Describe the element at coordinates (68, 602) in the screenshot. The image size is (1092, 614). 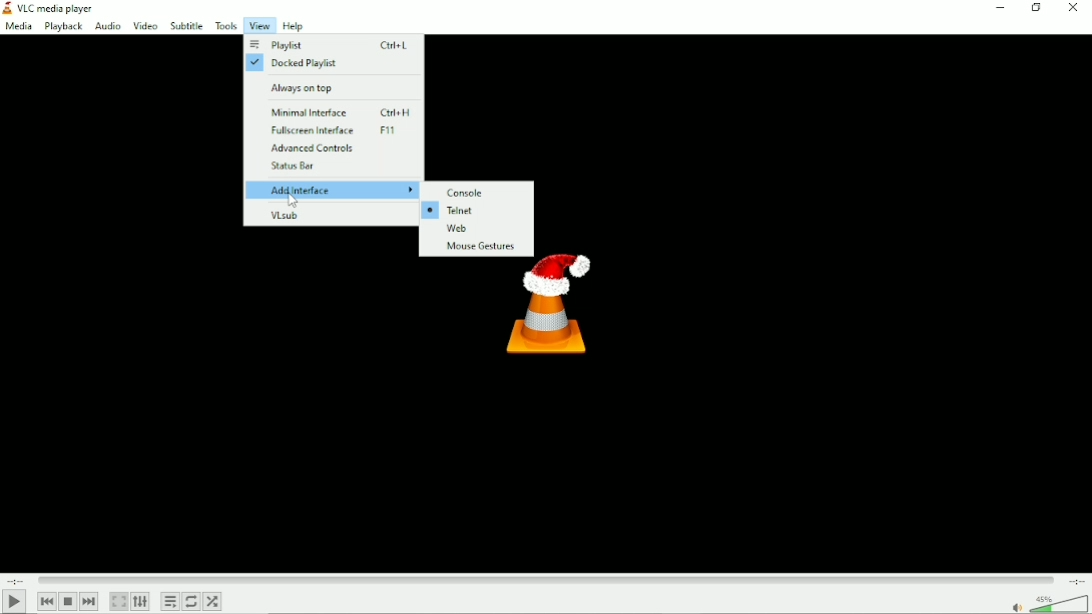
I see `Stop playlist` at that location.